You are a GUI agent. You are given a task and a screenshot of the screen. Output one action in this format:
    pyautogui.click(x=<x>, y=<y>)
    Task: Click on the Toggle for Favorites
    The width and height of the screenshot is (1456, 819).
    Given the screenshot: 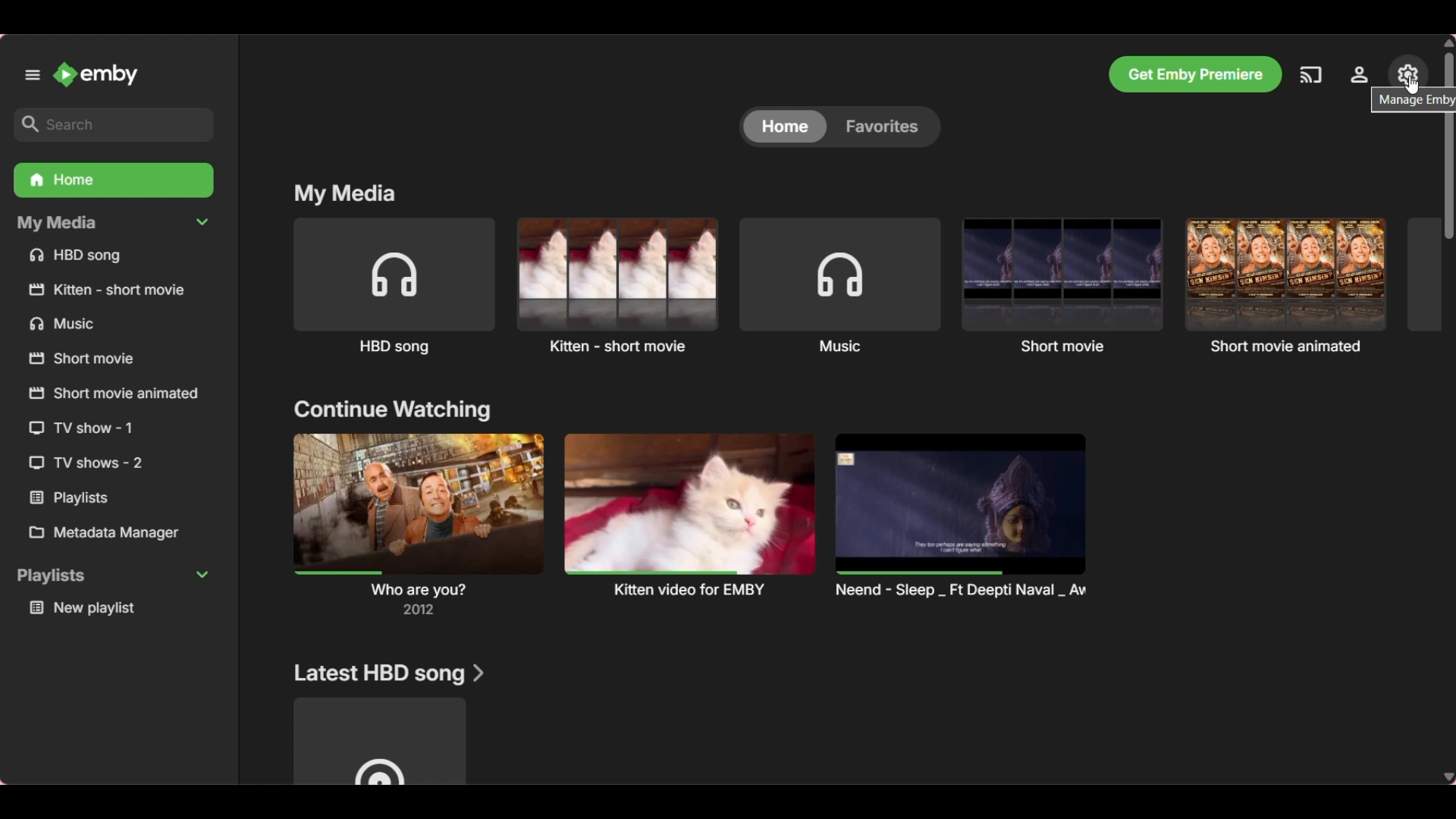 What is the action you would take?
    pyautogui.click(x=889, y=127)
    